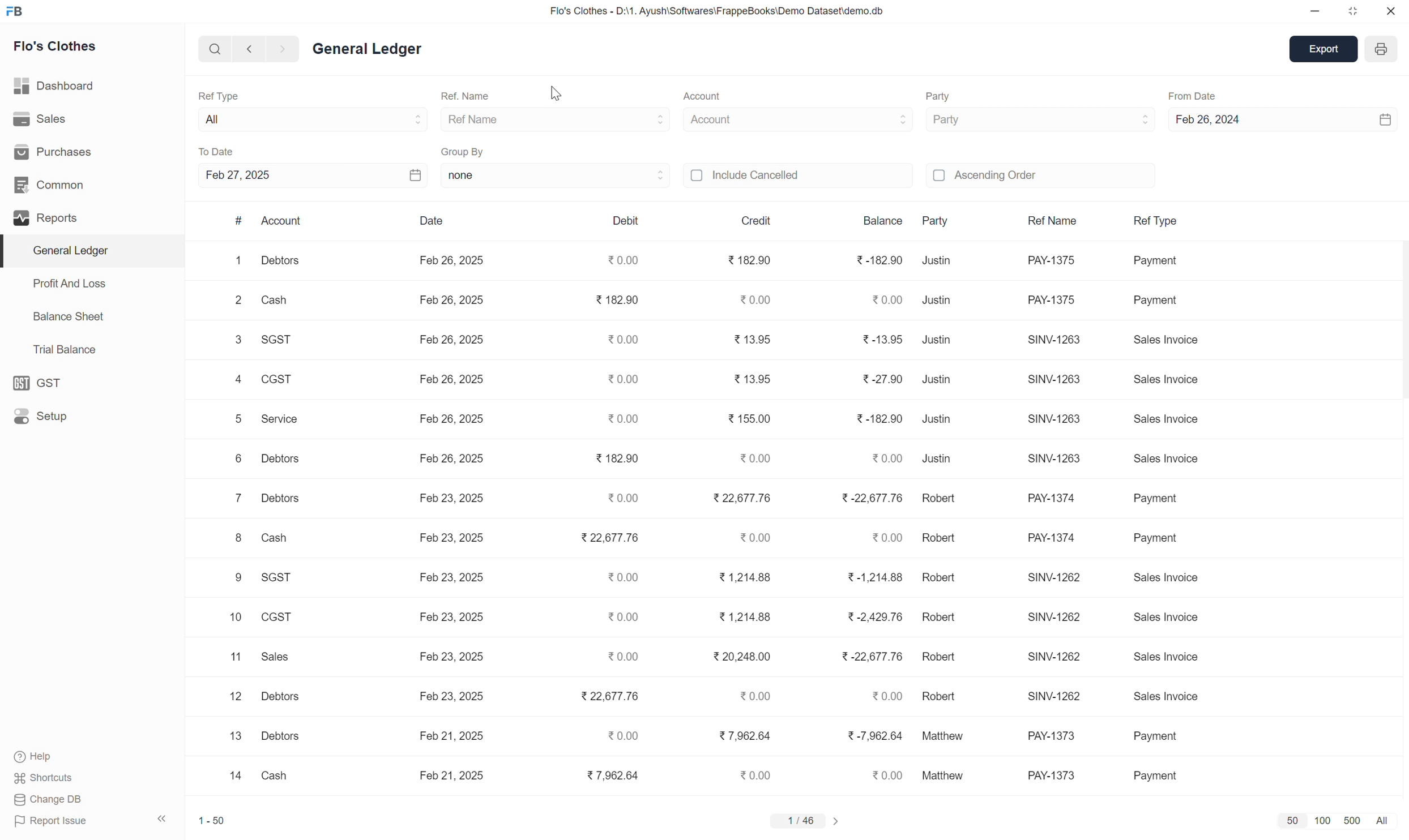 This screenshot has width=1409, height=840. I want to click on account, so click(289, 220).